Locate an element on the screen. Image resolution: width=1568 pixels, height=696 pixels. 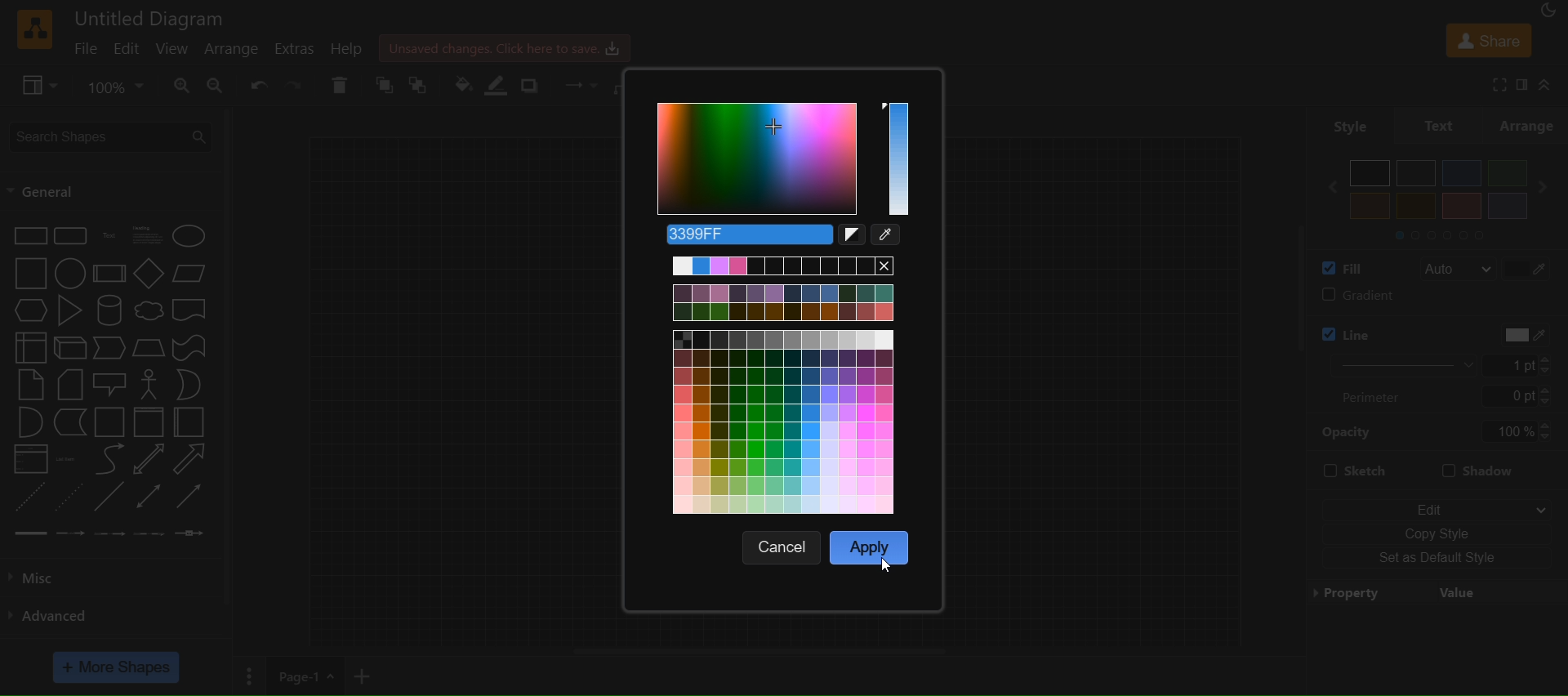
text is located at coordinates (1441, 124).